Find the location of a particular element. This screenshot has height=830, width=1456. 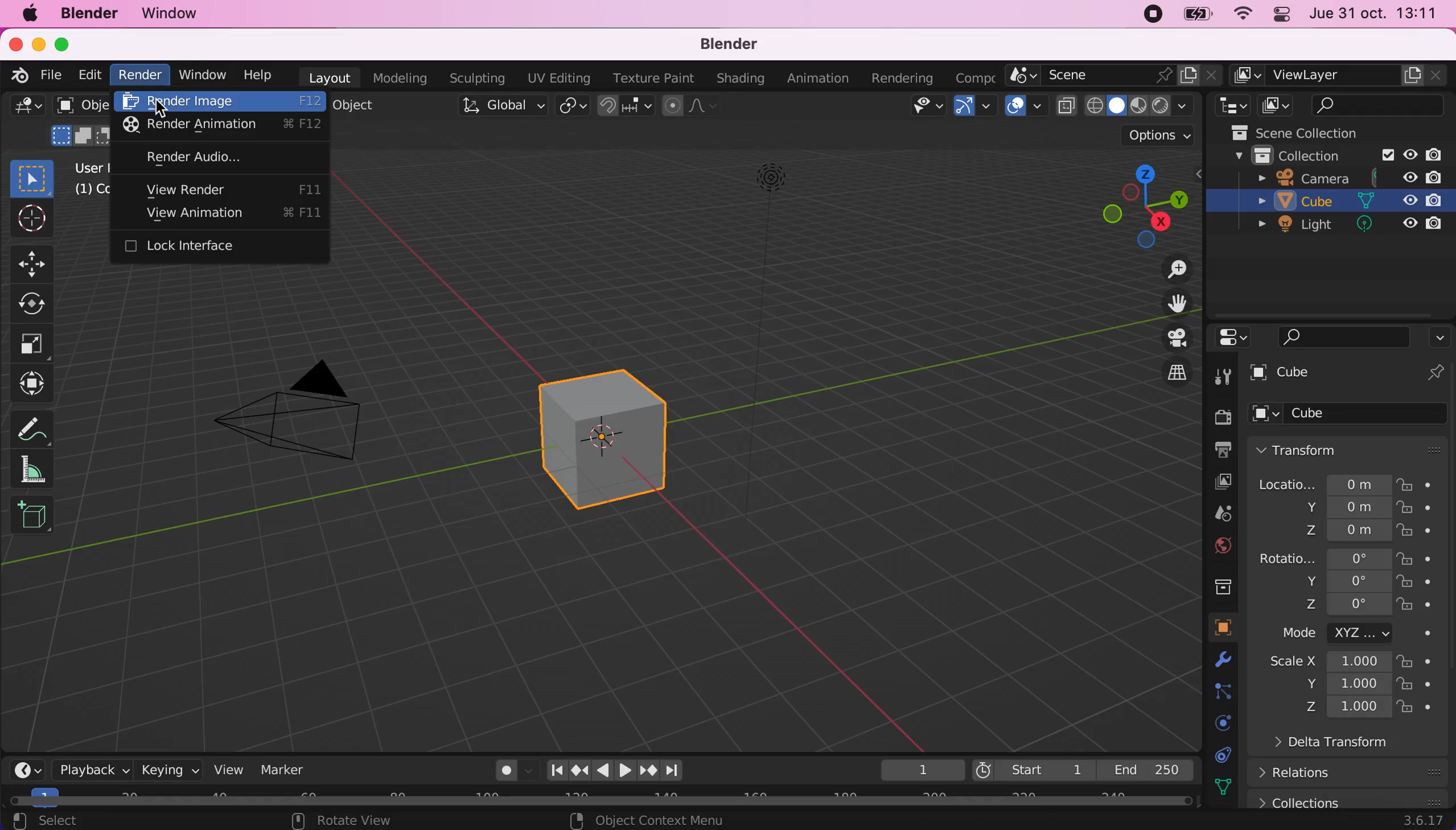

play animation is located at coordinates (602, 770).